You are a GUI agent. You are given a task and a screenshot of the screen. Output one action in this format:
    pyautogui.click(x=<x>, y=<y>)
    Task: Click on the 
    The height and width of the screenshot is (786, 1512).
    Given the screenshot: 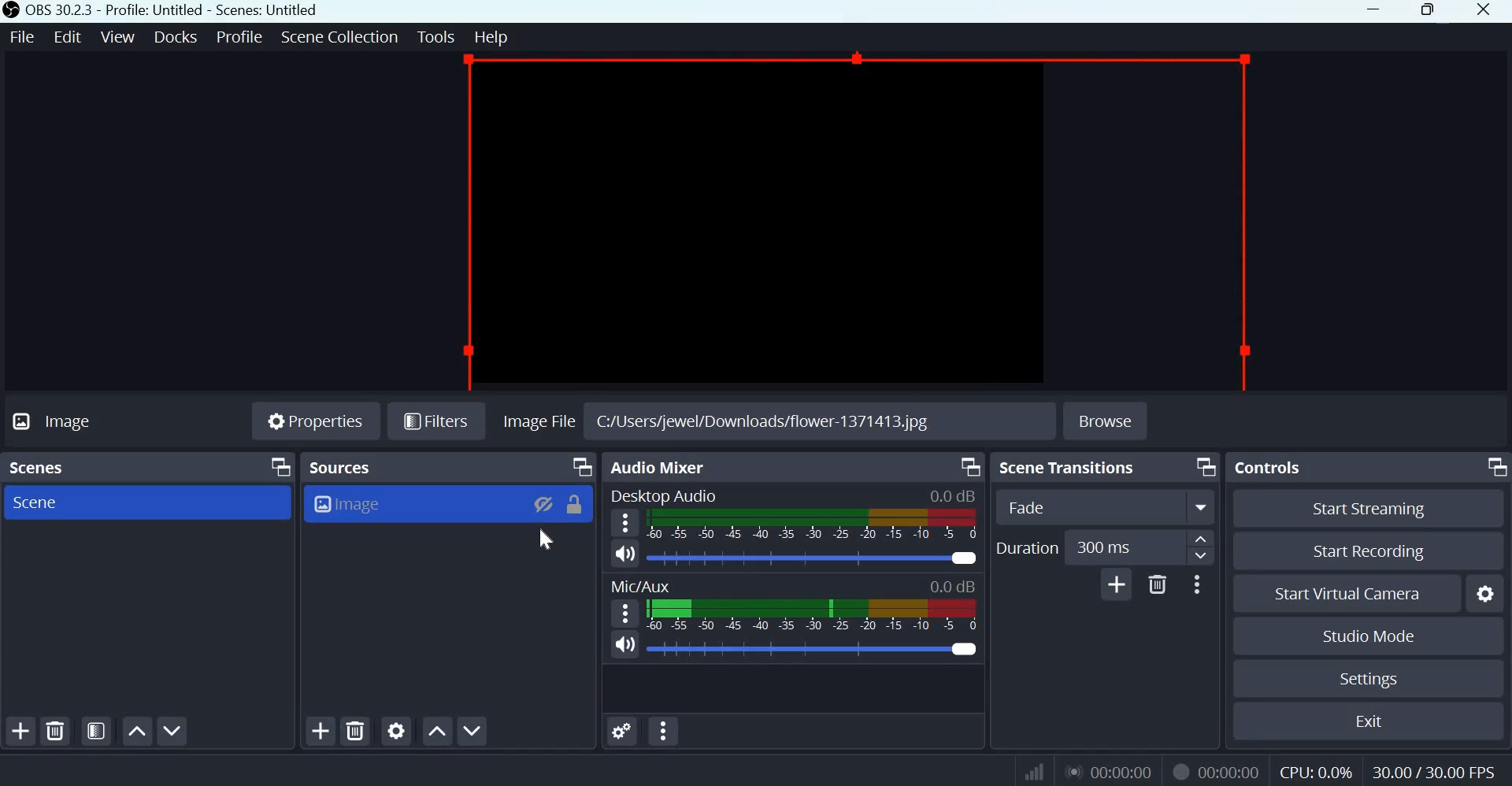 What is the action you would take?
    pyautogui.click(x=1368, y=550)
    